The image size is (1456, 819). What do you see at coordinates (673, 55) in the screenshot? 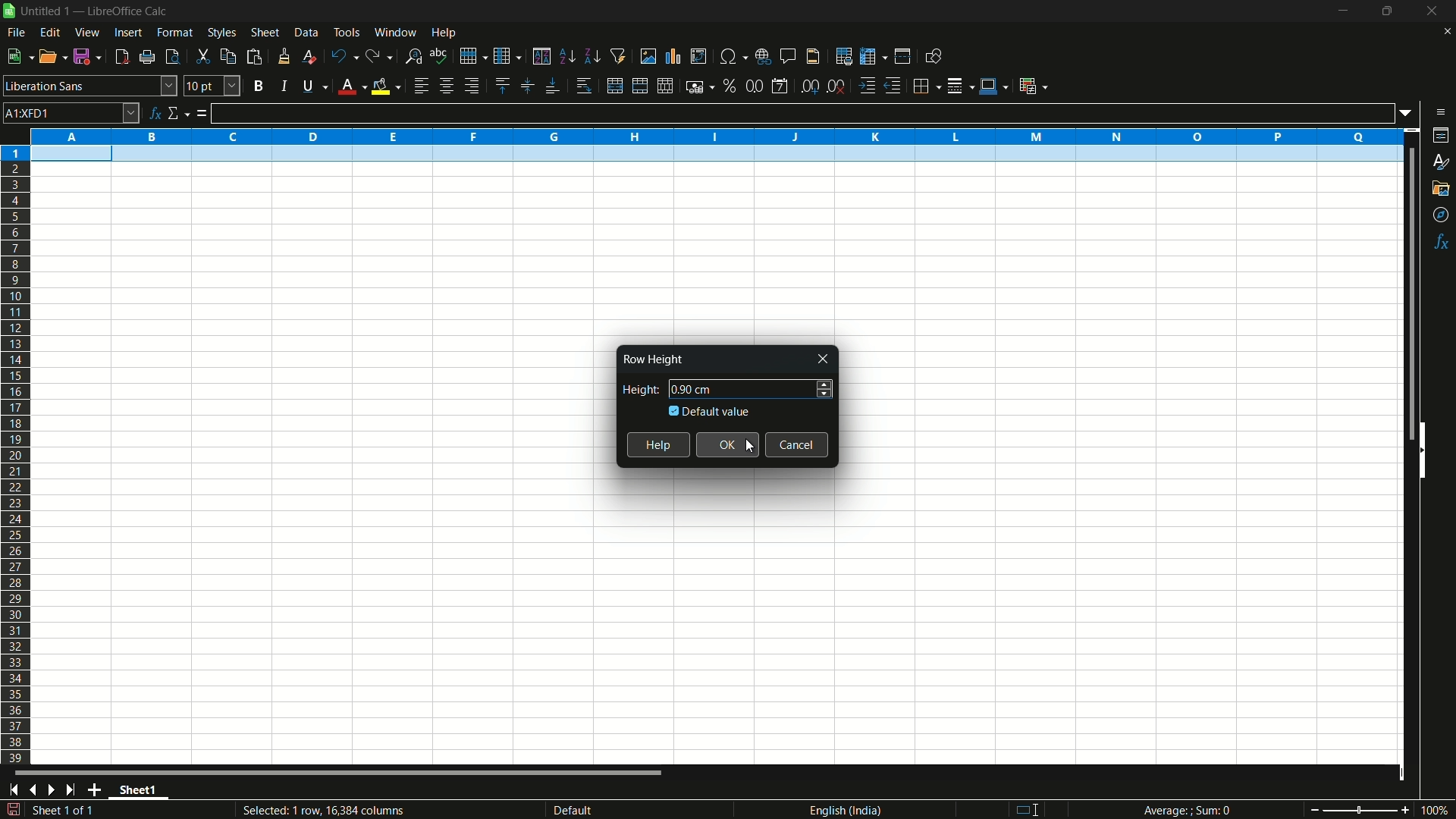
I see `insert chart` at bounding box center [673, 55].